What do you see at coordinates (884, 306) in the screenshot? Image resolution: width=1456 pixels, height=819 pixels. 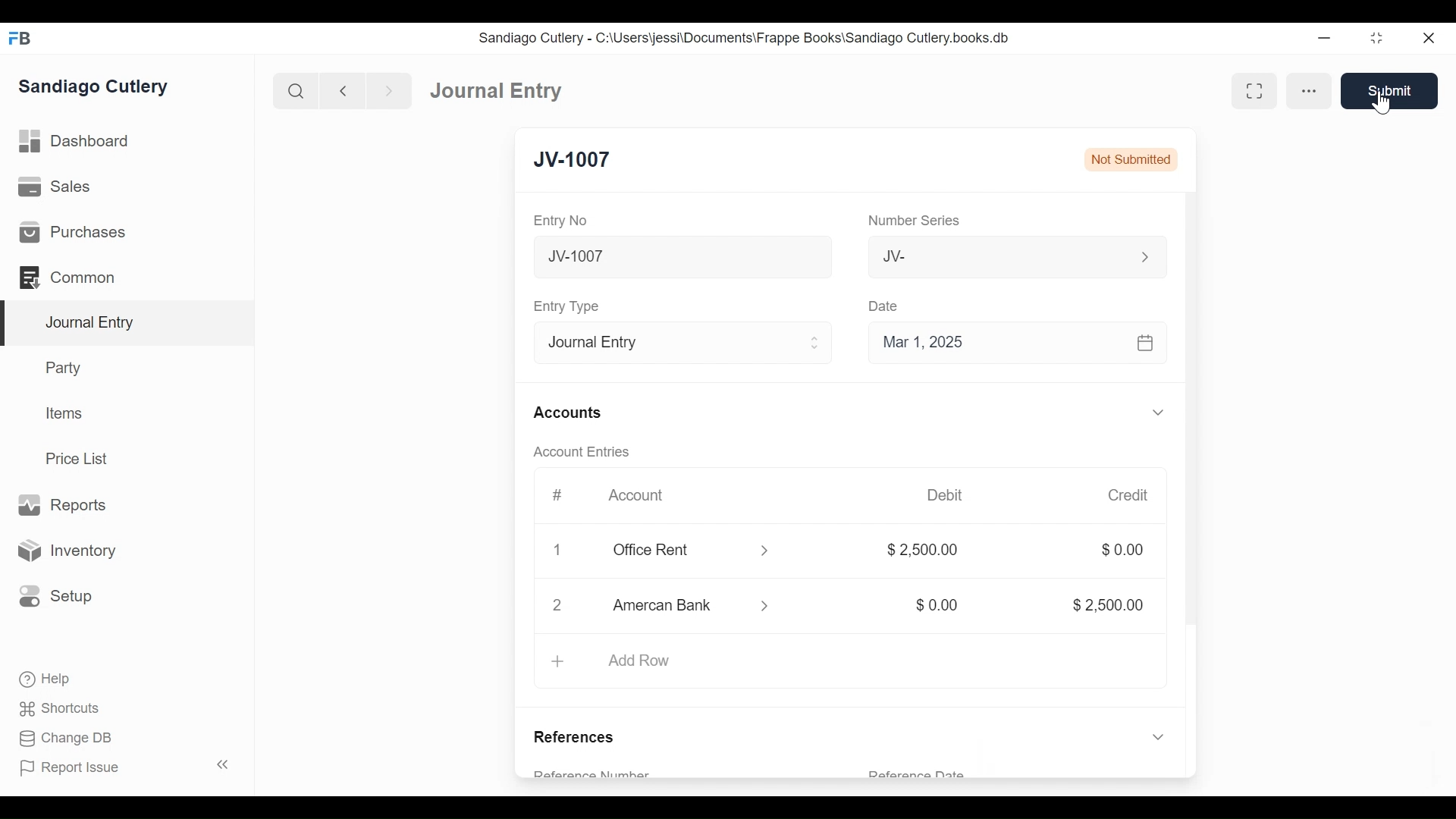 I see `Date` at bounding box center [884, 306].